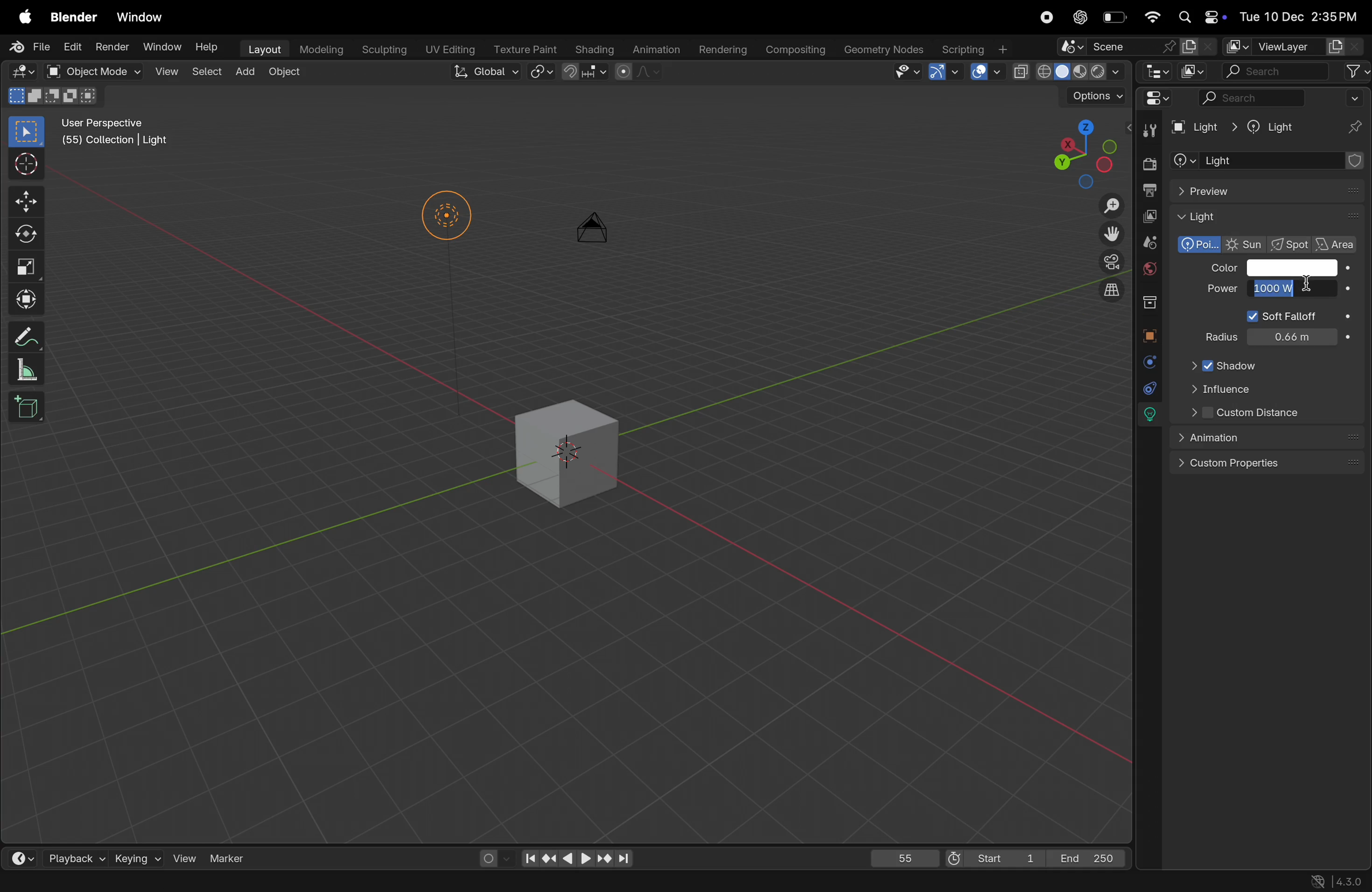 The height and width of the screenshot is (892, 1372). I want to click on End, so click(1092, 858).